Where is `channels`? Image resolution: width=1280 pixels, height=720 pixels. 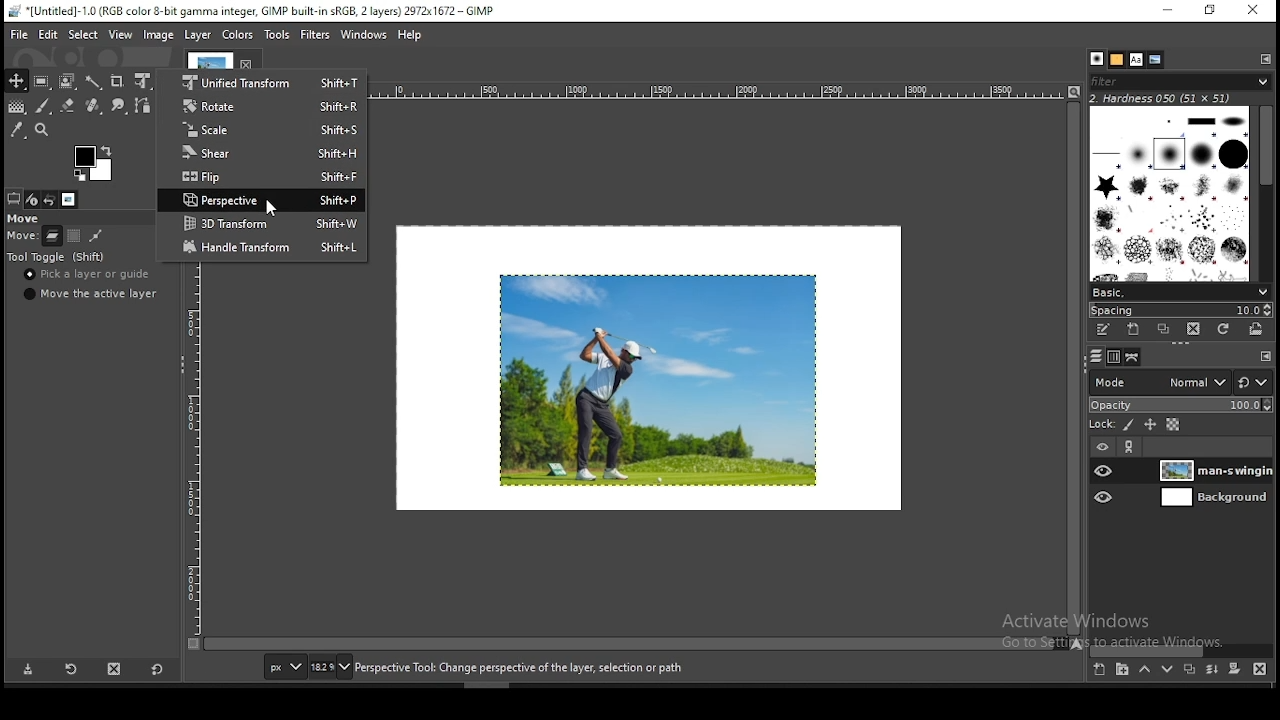 channels is located at coordinates (1112, 358).